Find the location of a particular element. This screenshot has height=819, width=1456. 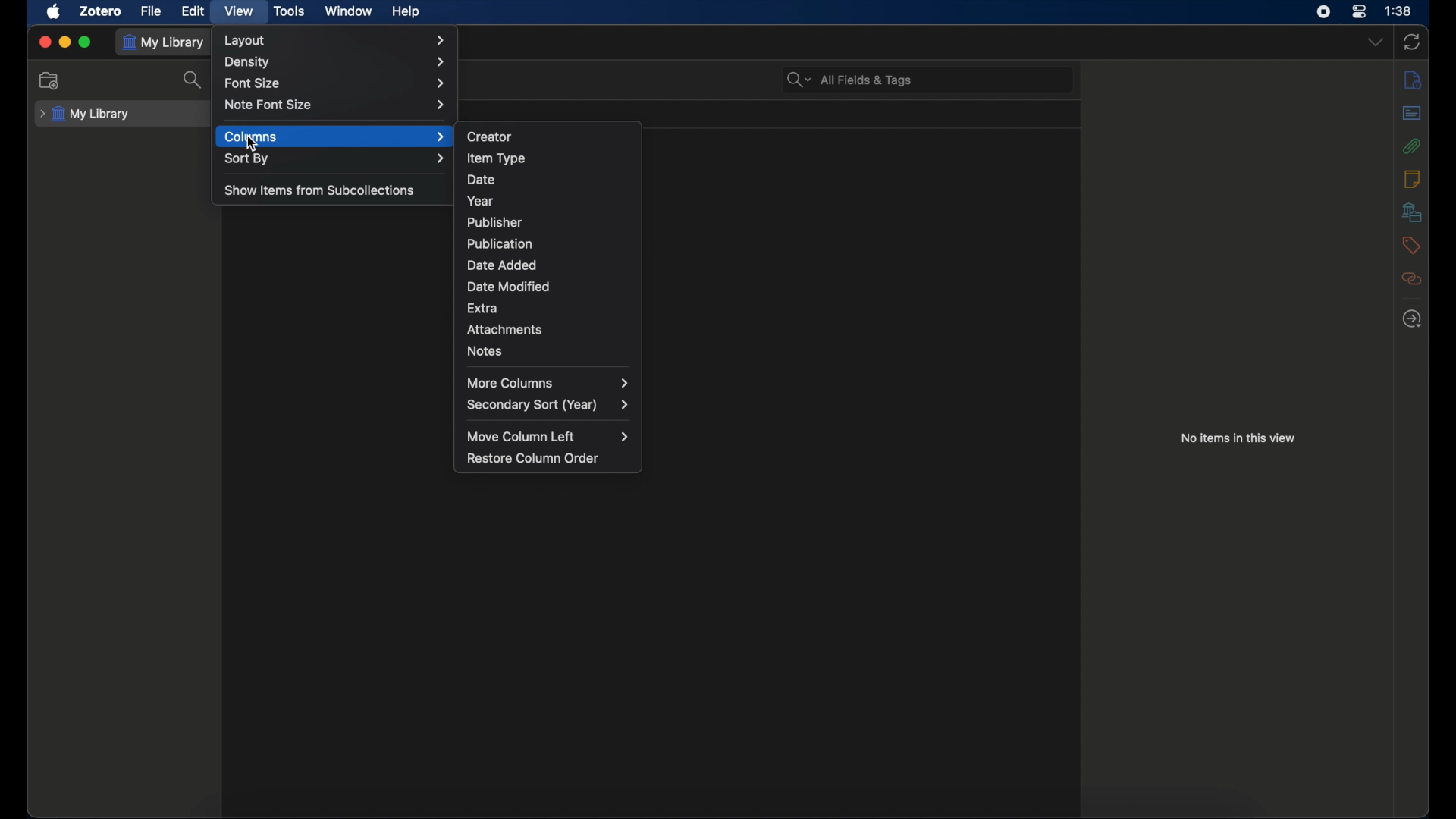

zotero is located at coordinates (101, 11).